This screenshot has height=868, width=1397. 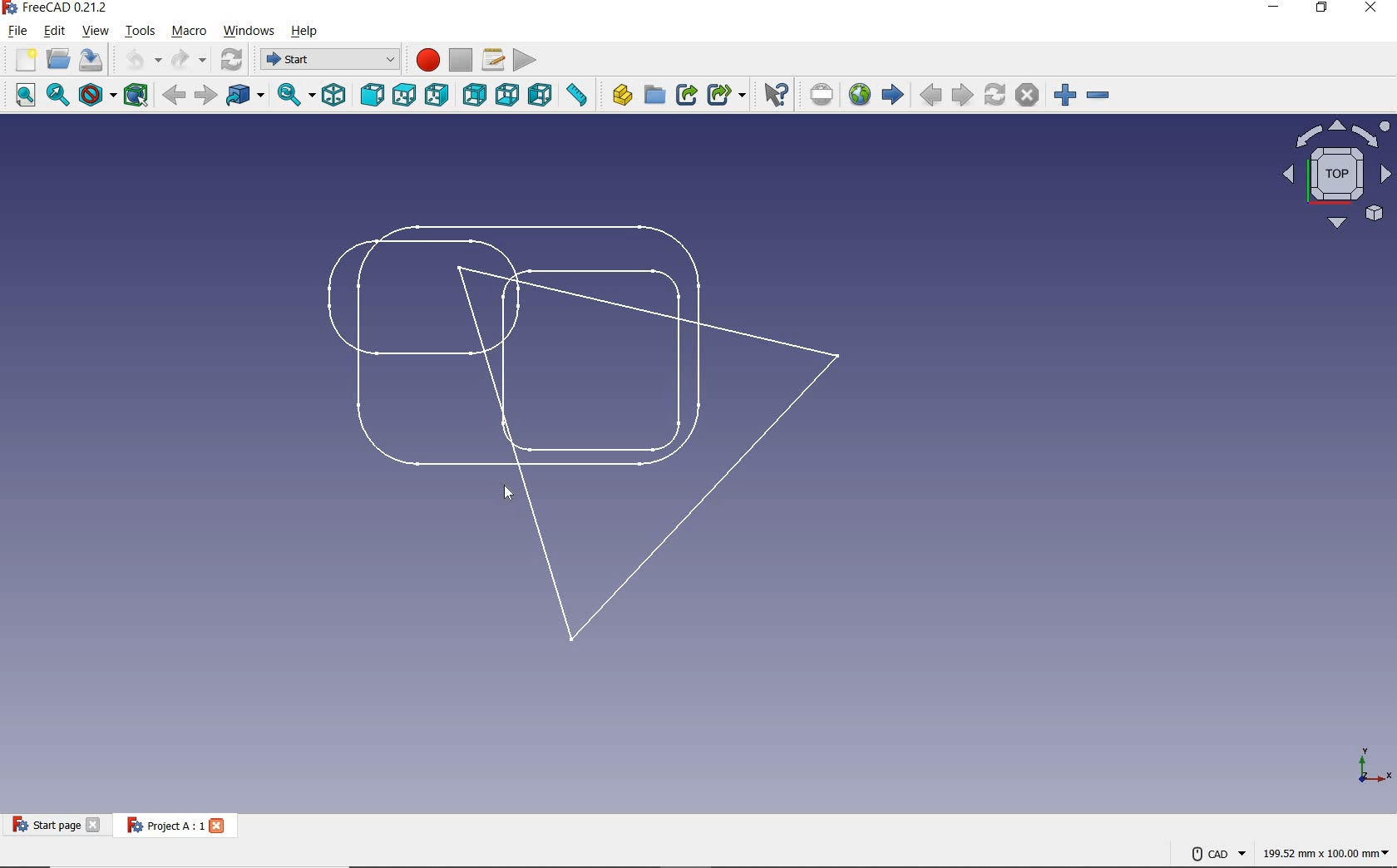 What do you see at coordinates (58, 59) in the screenshot?
I see `OPEN` at bounding box center [58, 59].